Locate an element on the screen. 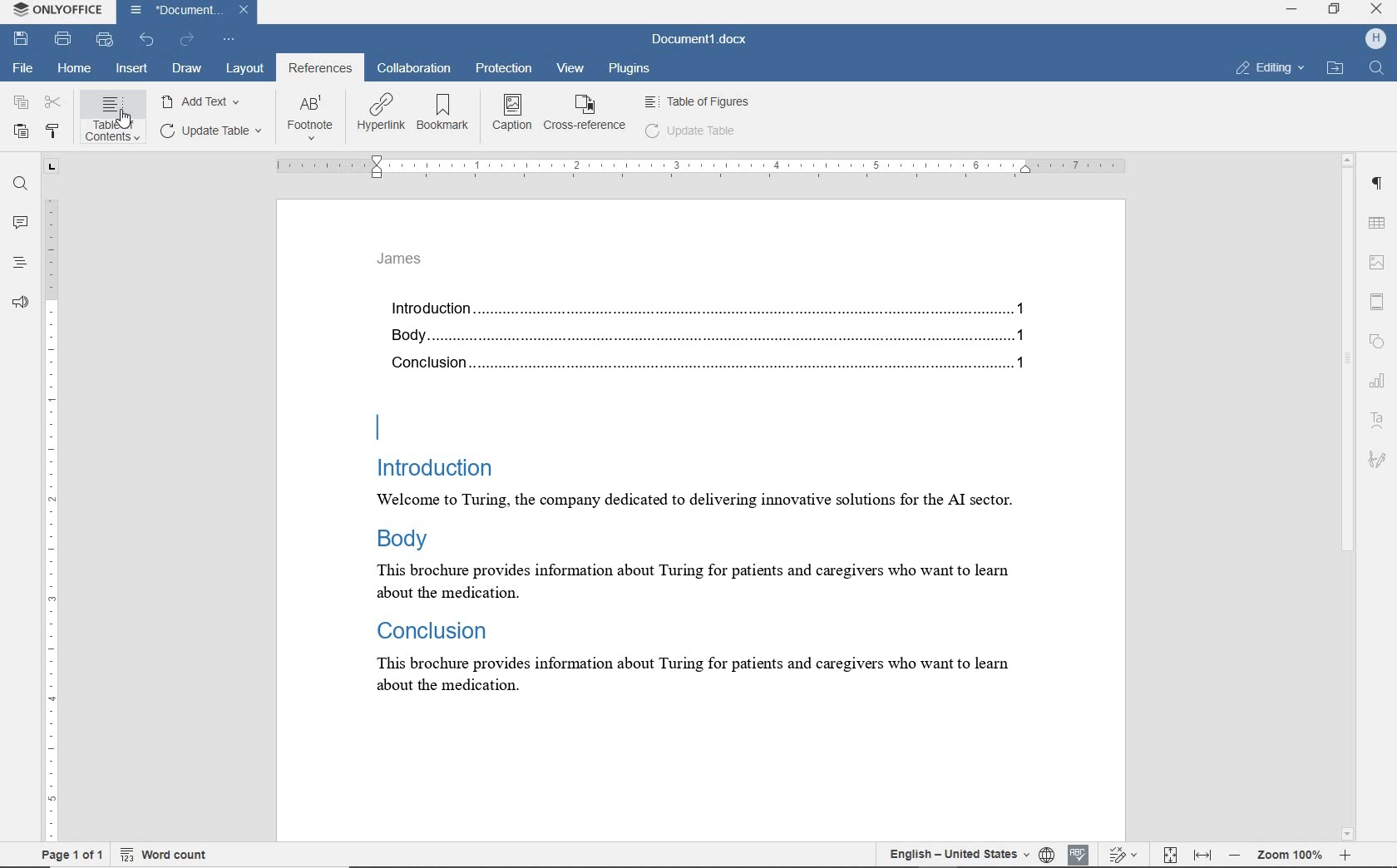  document name is located at coordinates (187, 11).